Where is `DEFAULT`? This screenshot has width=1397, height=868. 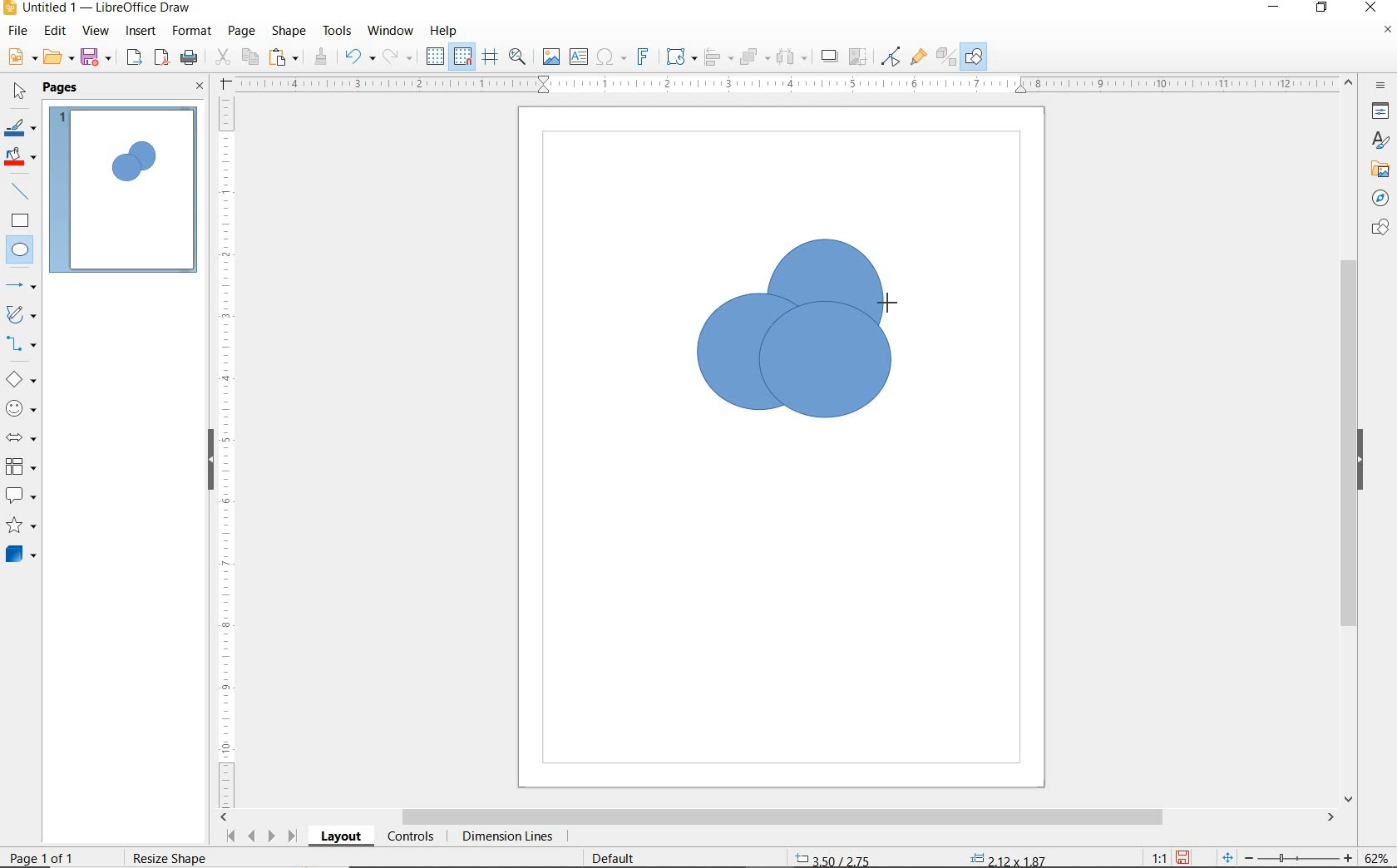 DEFAULT is located at coordinates (619, 856).